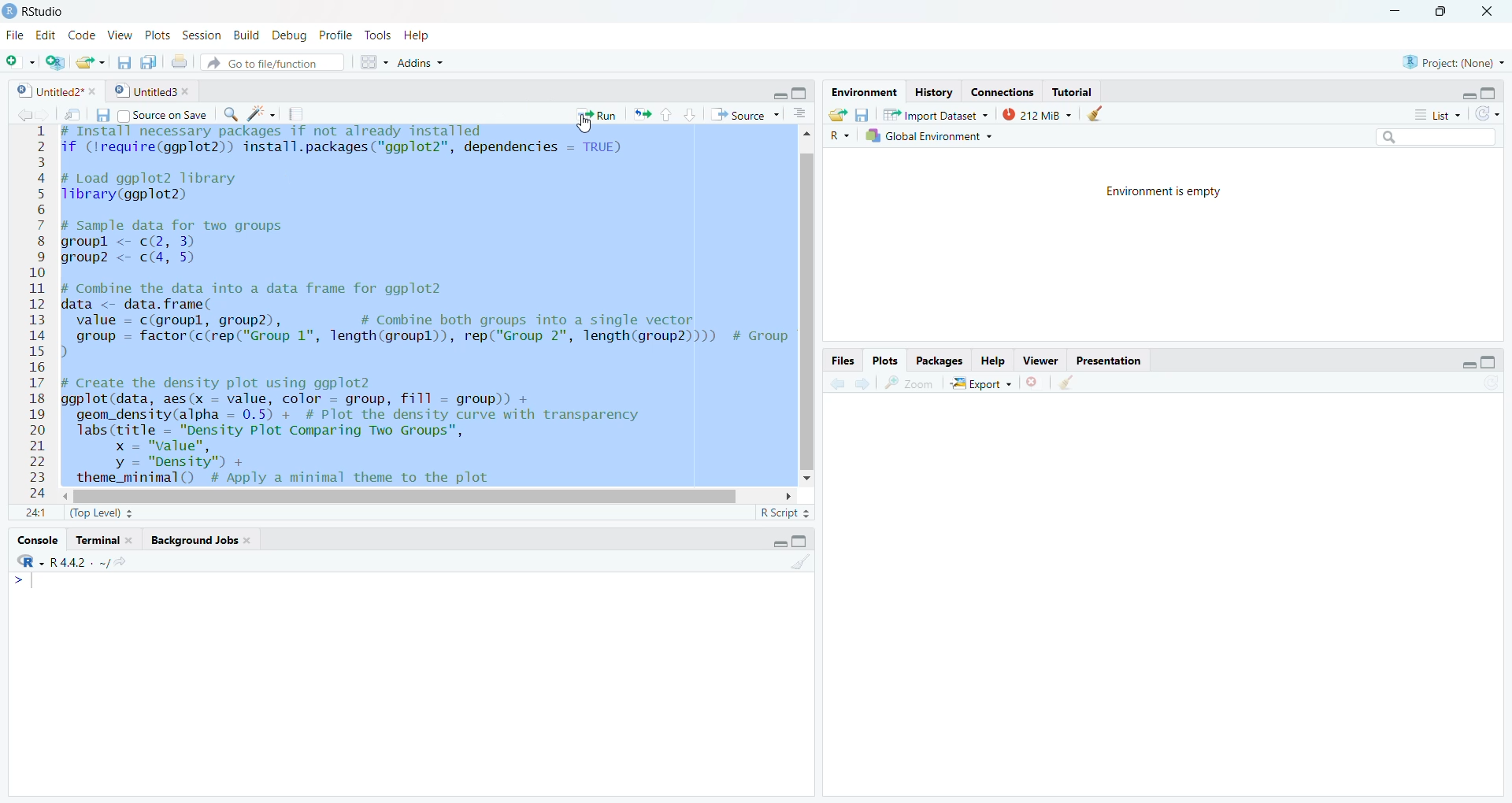  Describe the element at coordinates (335, 35) in the screenshot. I see `profile` at that location.